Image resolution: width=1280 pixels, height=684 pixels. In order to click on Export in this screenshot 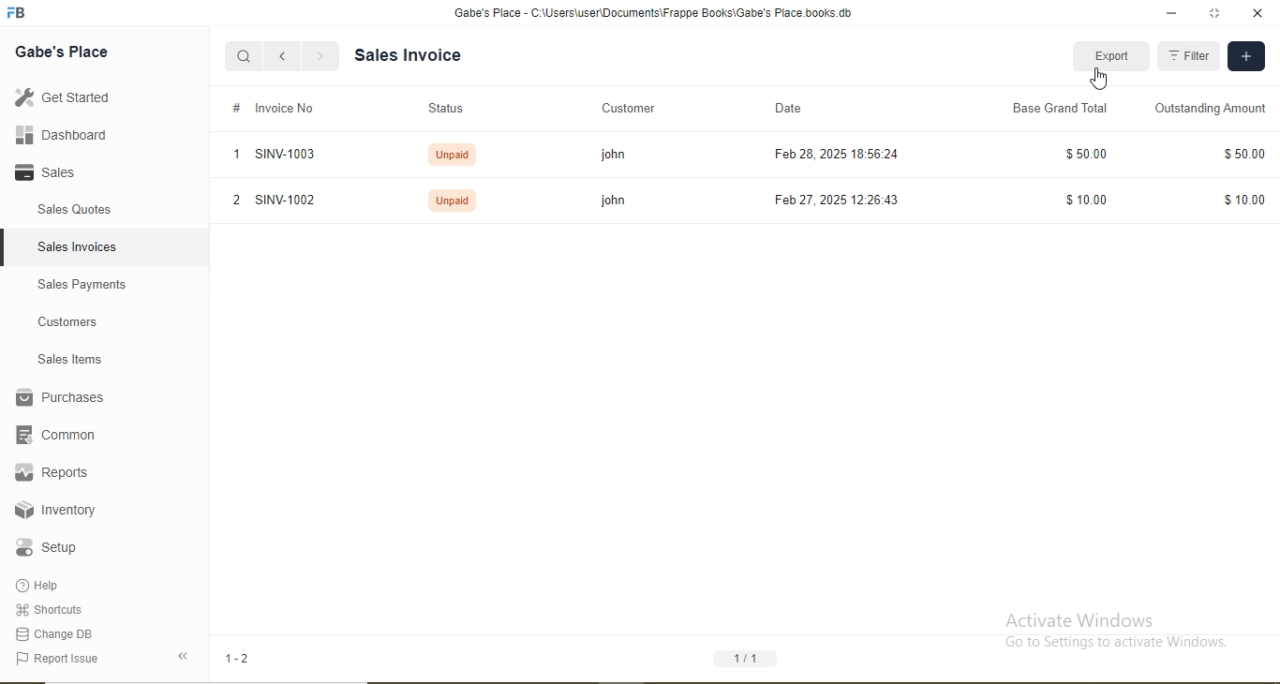, I will do `click(1116, 57)`.